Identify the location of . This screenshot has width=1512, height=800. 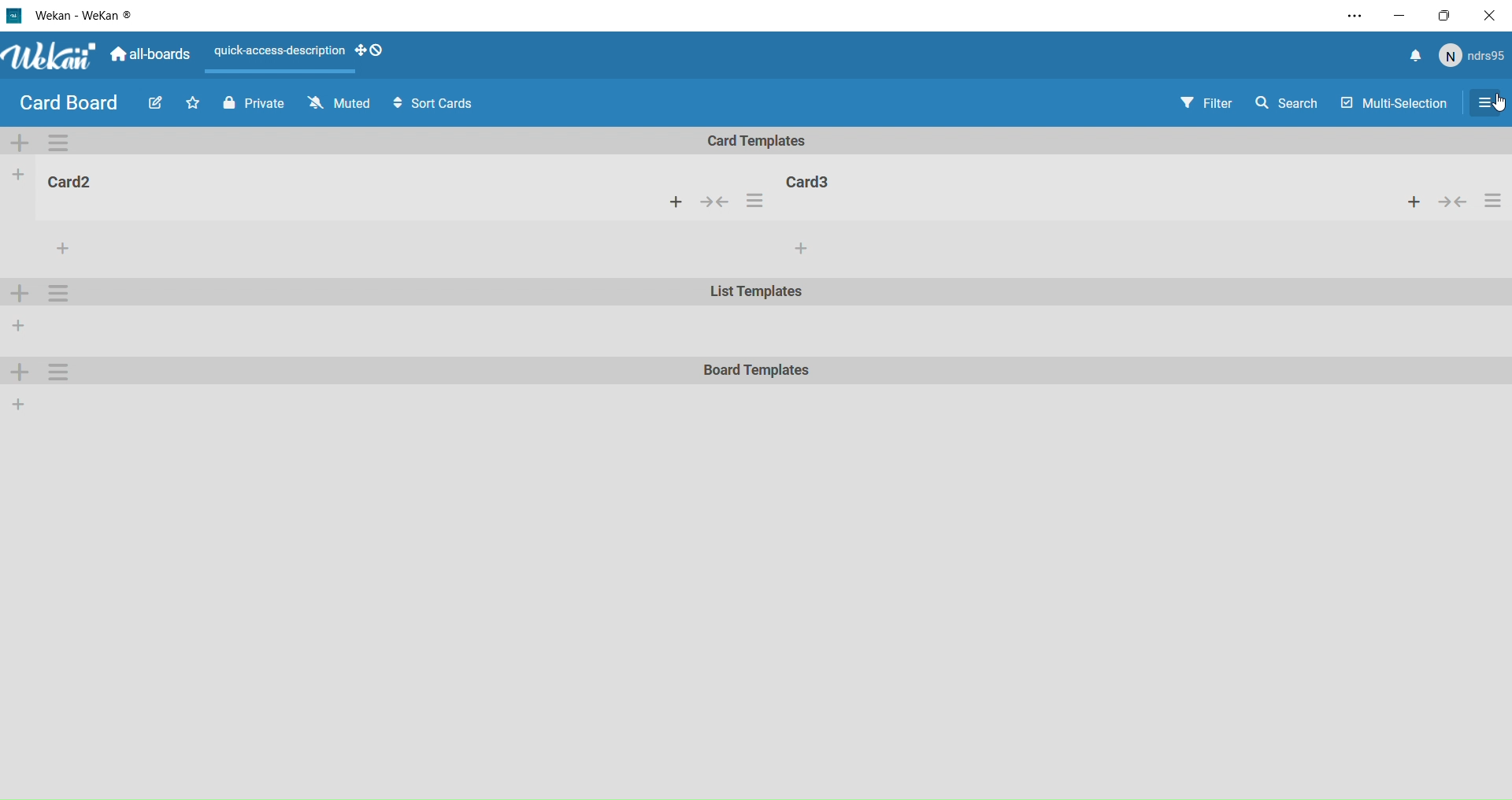
(1415, 58).